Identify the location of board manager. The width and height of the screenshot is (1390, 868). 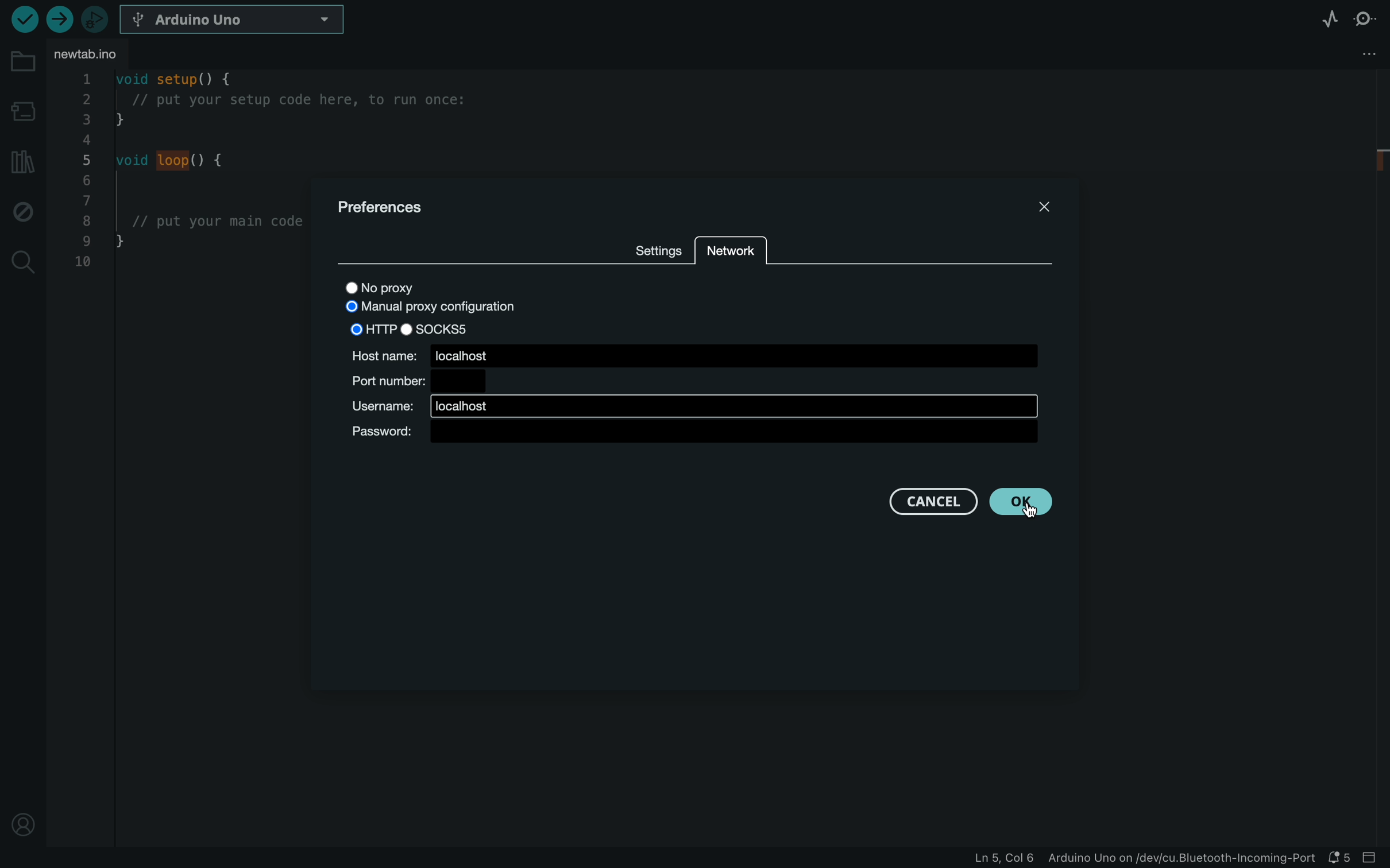
(22, 114).